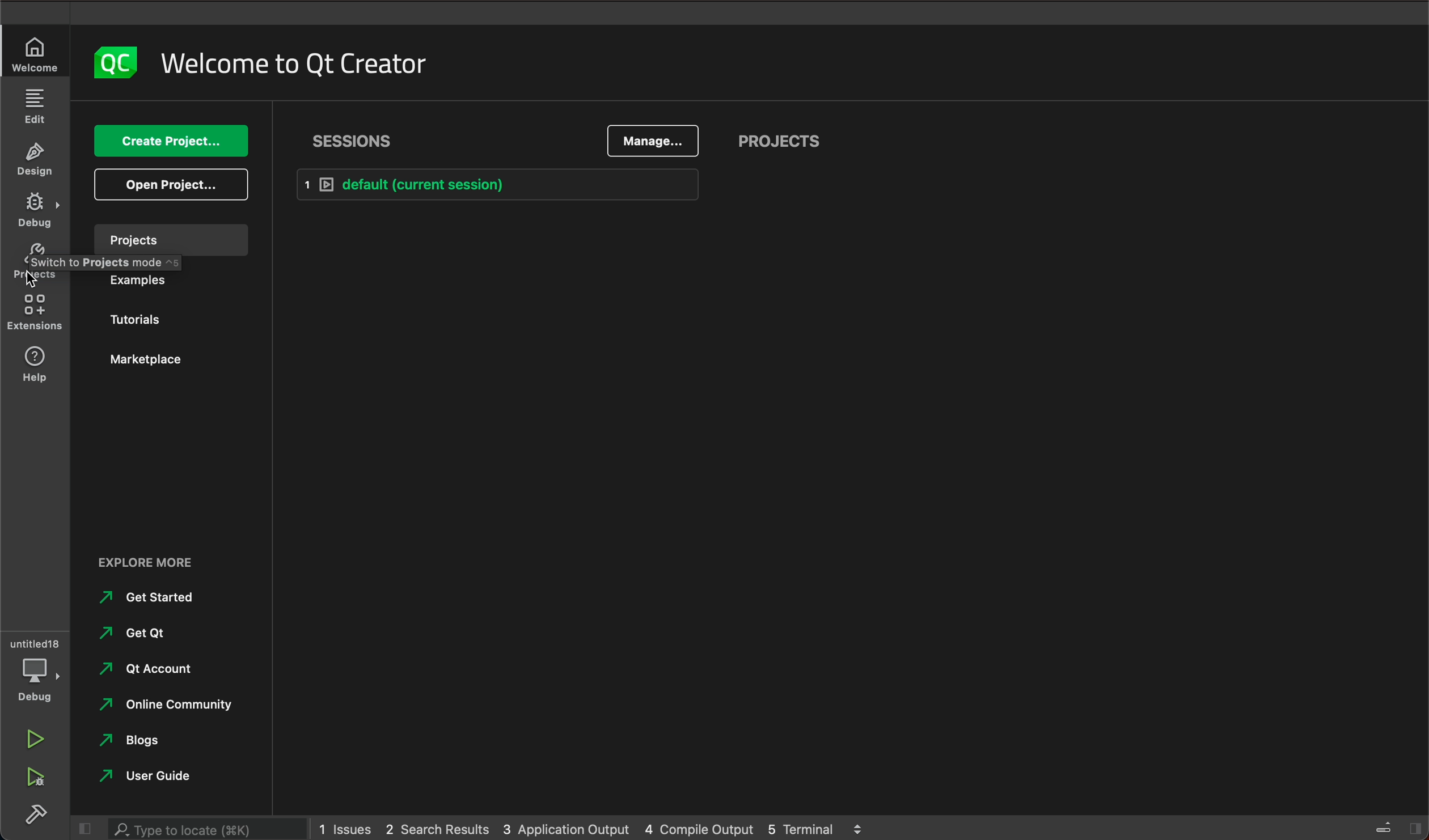  Describe the element at coordinates (163, 701) in the screenshot. I see `online community` at that location.